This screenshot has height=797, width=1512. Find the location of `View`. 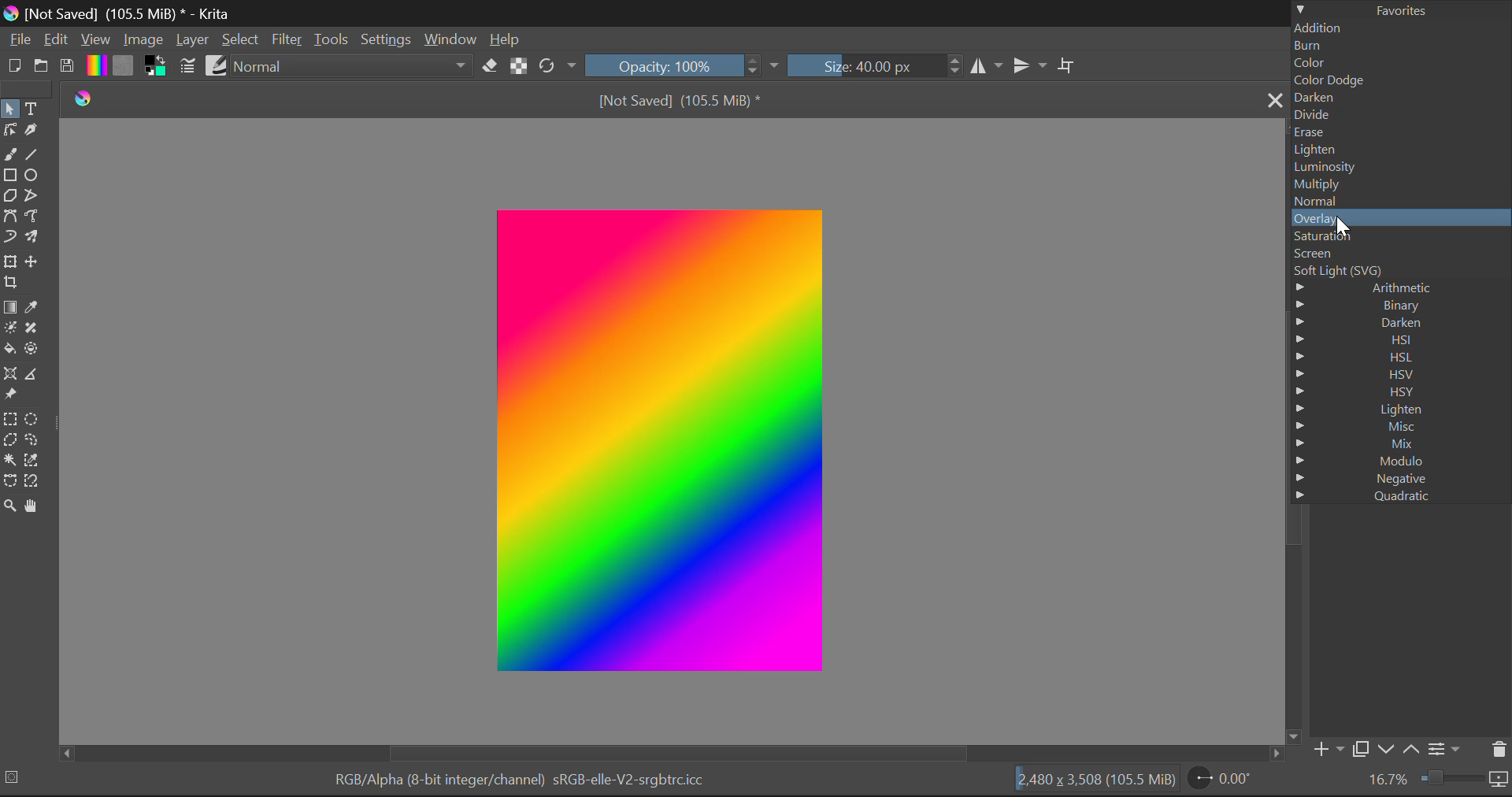

View is located at coordinates (96, 40).